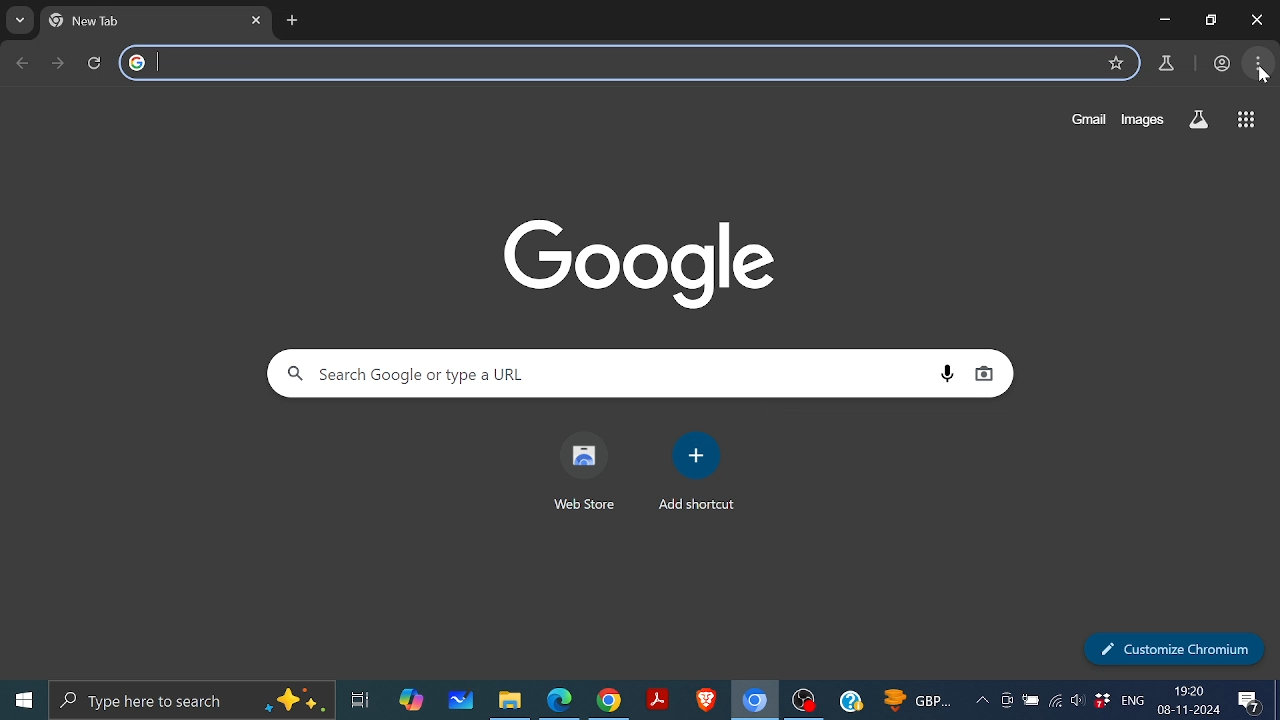 The image size is (1280, 720). What do you see at coordinates (1088, 119) in the screenshot?
I see `Gmail` at bounding box center [1088, 119].